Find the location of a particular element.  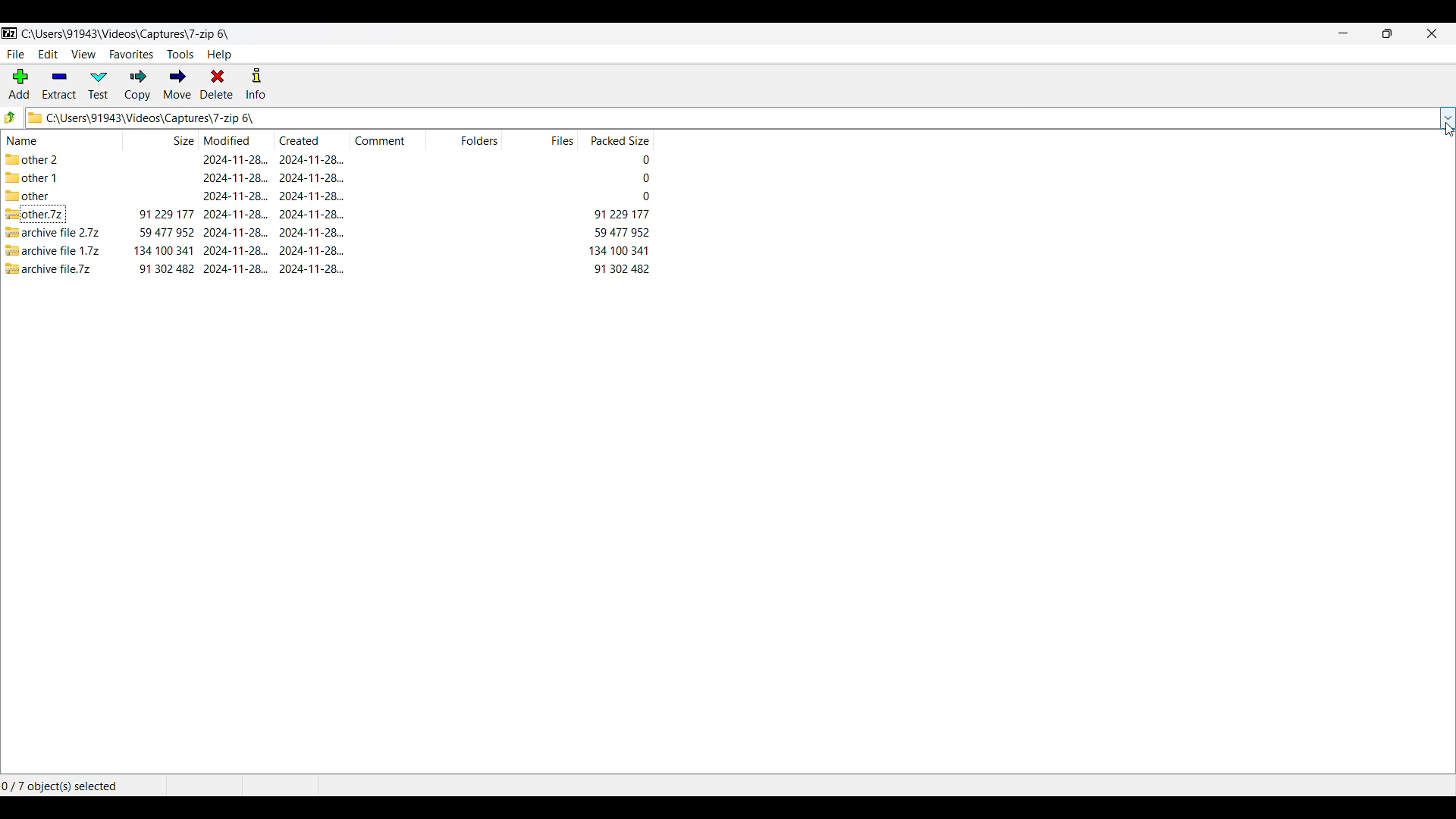

Location of current file is located at coordinates (126, 34).